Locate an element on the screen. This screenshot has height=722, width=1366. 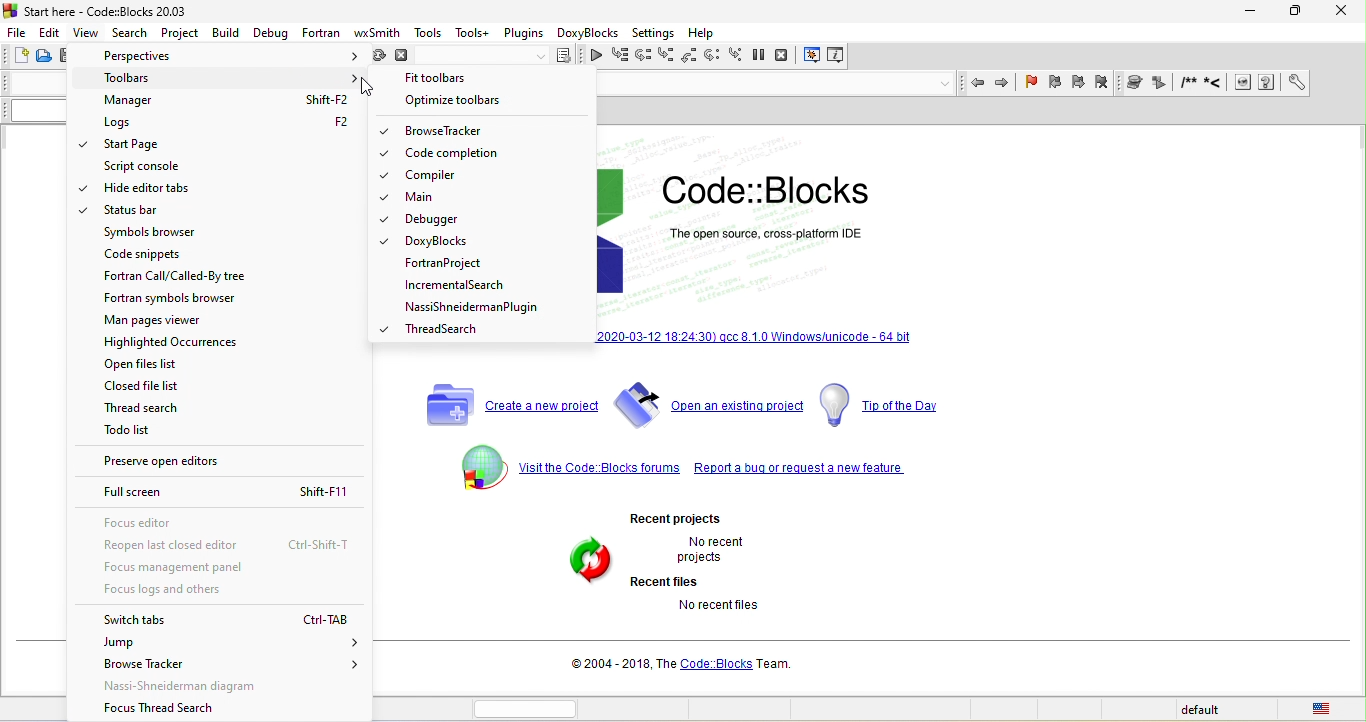
highlighted occurrences is located at coordinates (173, 344).